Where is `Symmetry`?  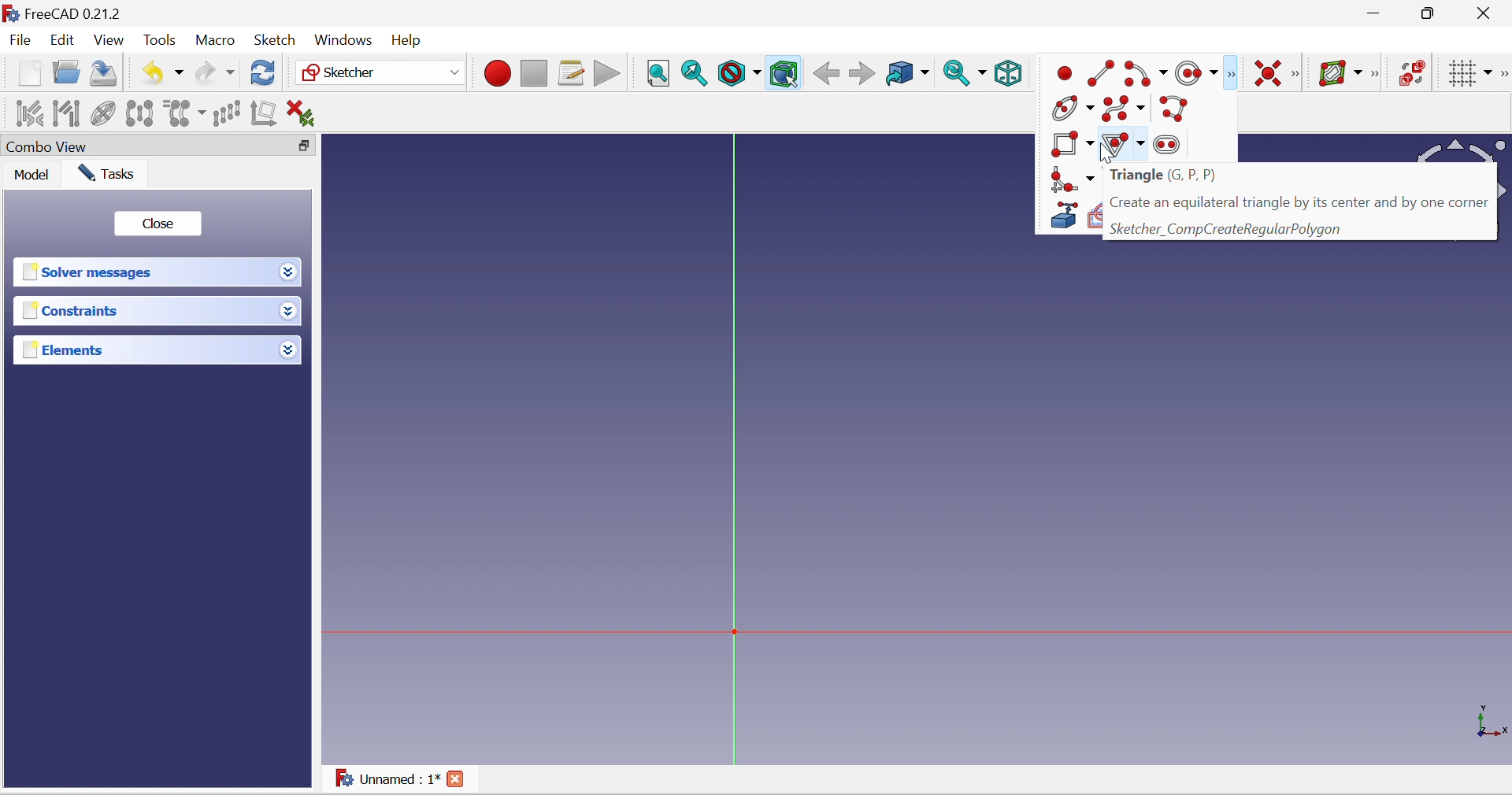 Symmetry is located at coordinates (139, 113).